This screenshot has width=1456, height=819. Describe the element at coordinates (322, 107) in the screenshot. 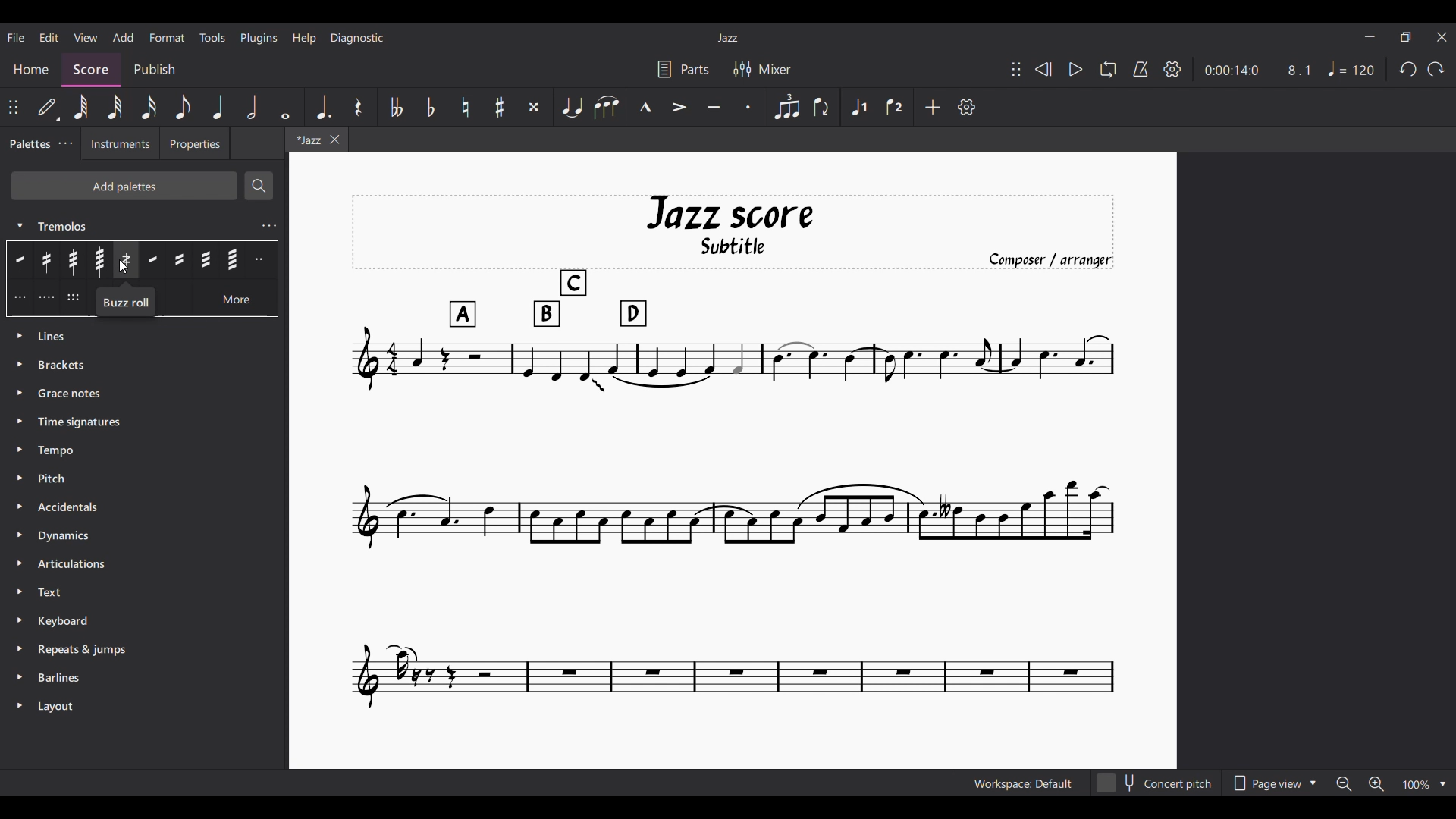

I see `Augmentation dot` at that location.